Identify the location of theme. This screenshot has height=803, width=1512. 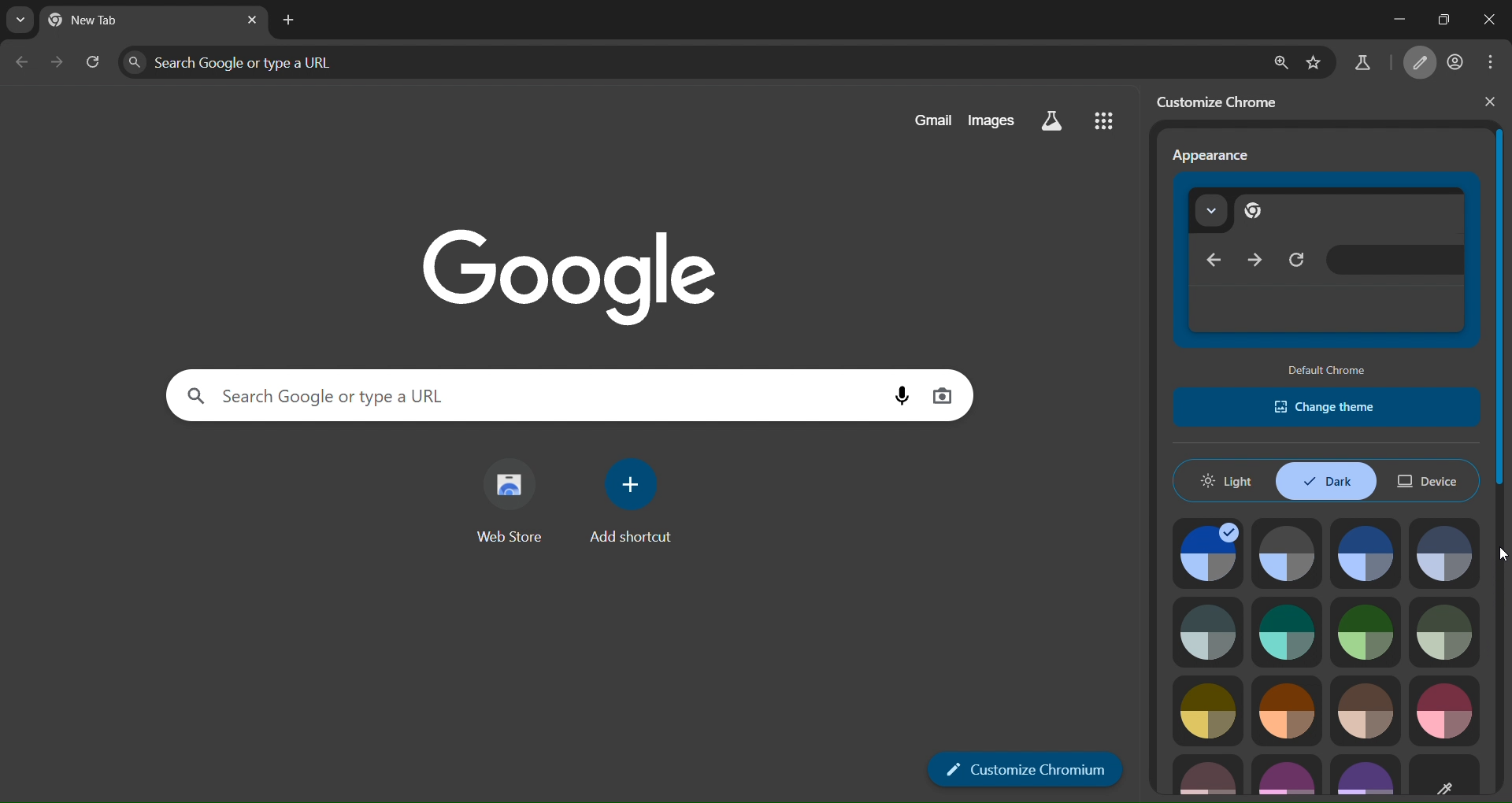
(1206, 709).